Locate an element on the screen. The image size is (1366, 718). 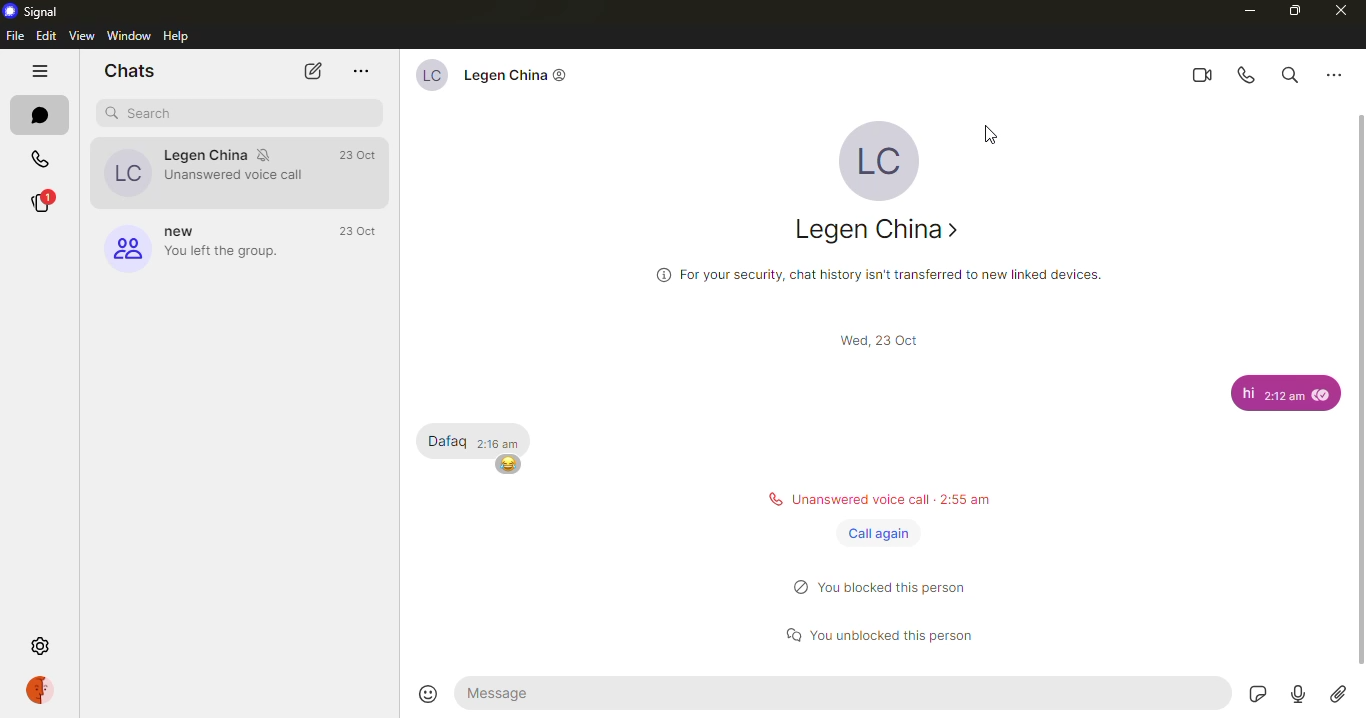
sticker is located at coordinates (1257, 696).